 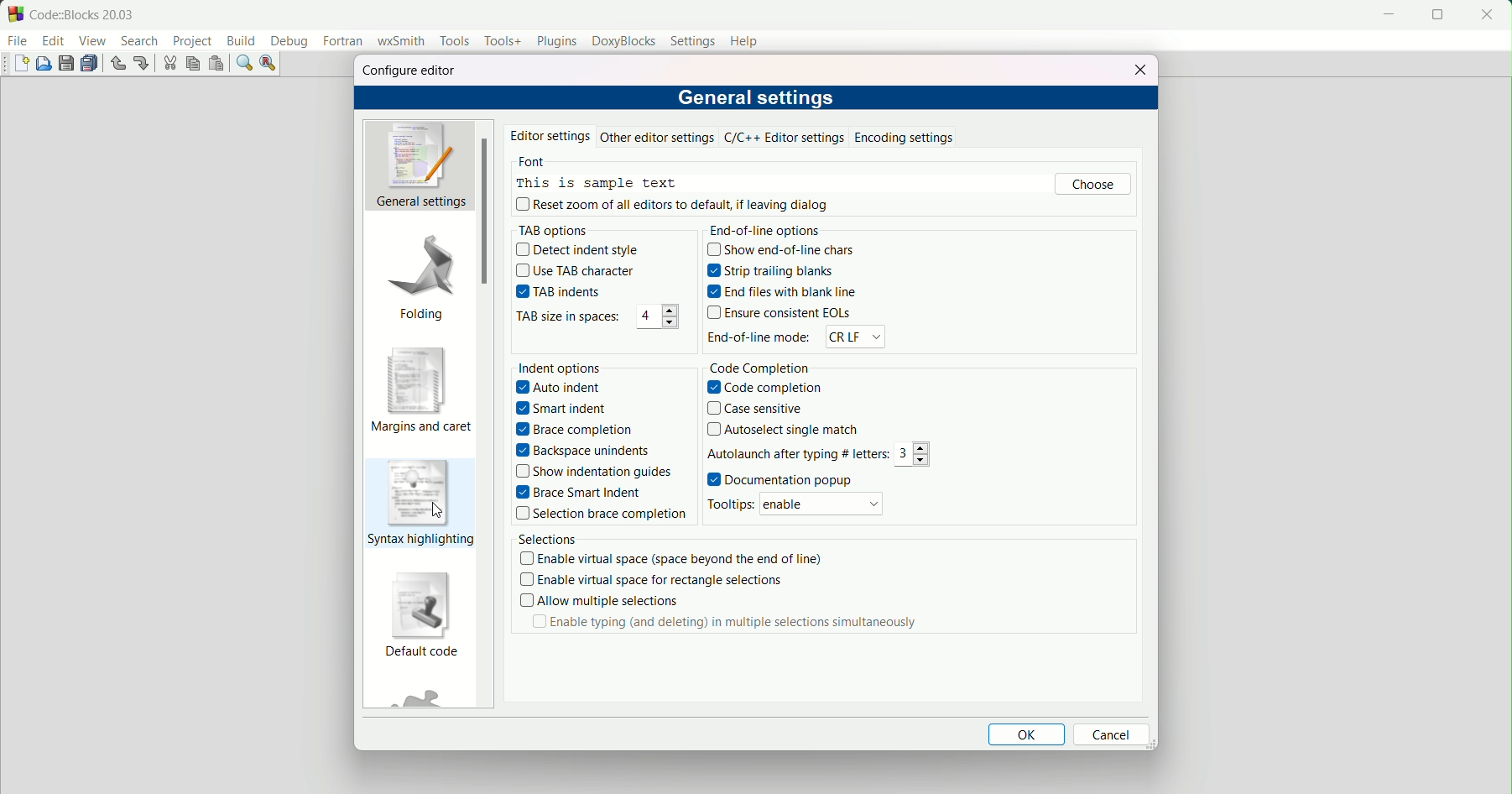 What do you see at coordinates (759, 369) in the screenshot?
I see `code completion` at bounding box center [759, 369].